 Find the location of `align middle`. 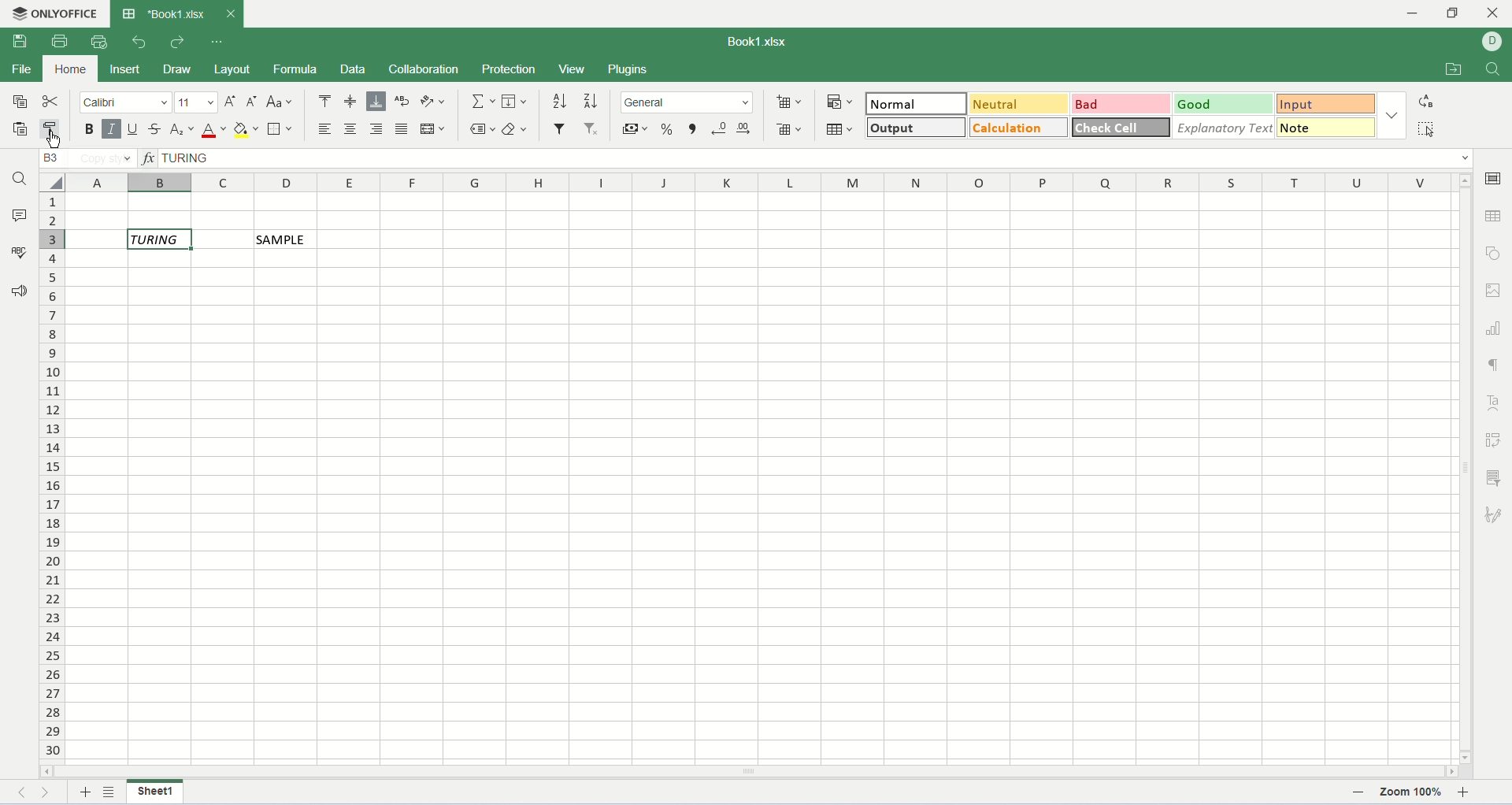

align middle is located at coordinates (352, 103).